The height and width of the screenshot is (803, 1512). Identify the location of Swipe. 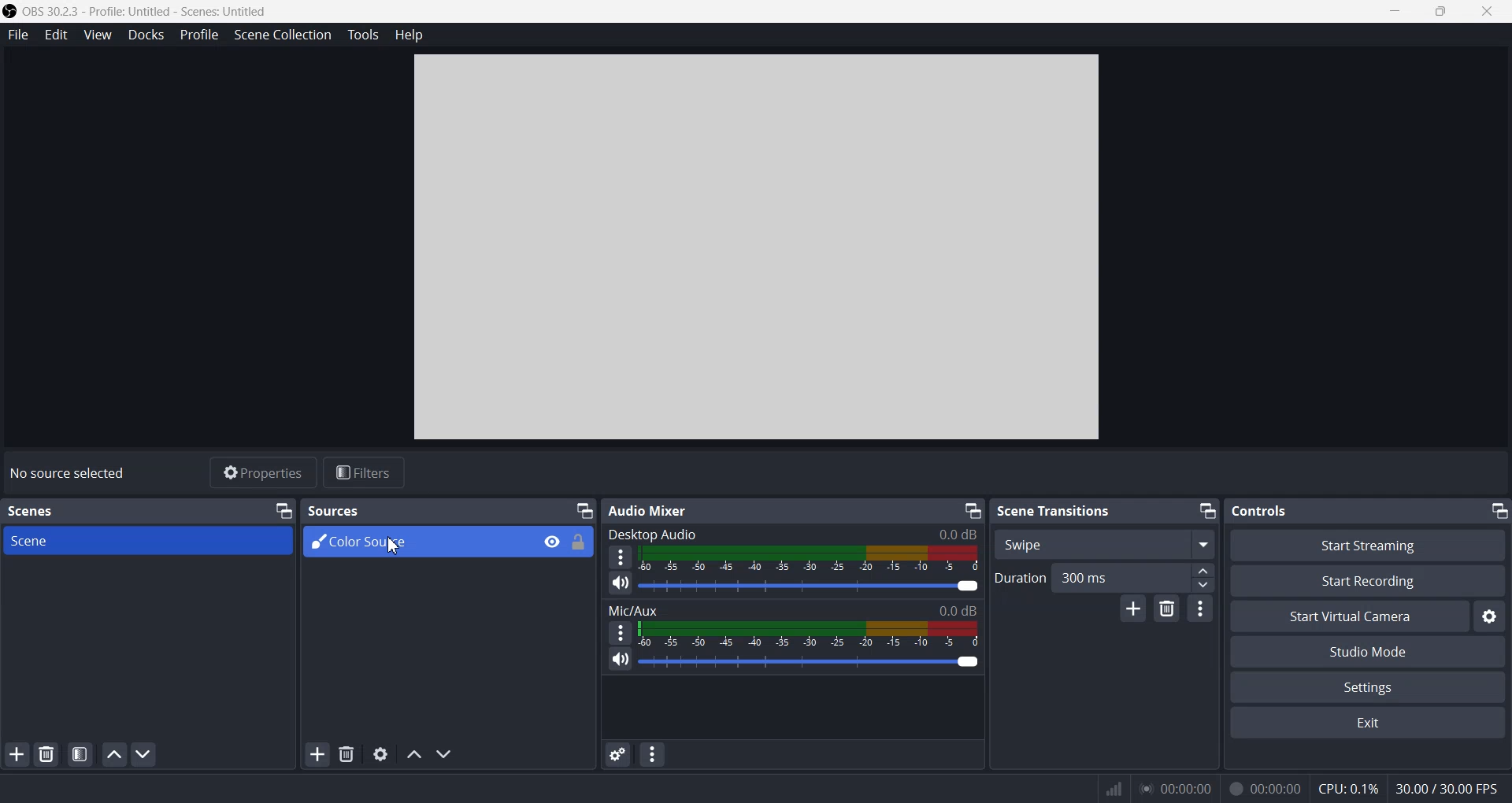
(1104, 543).